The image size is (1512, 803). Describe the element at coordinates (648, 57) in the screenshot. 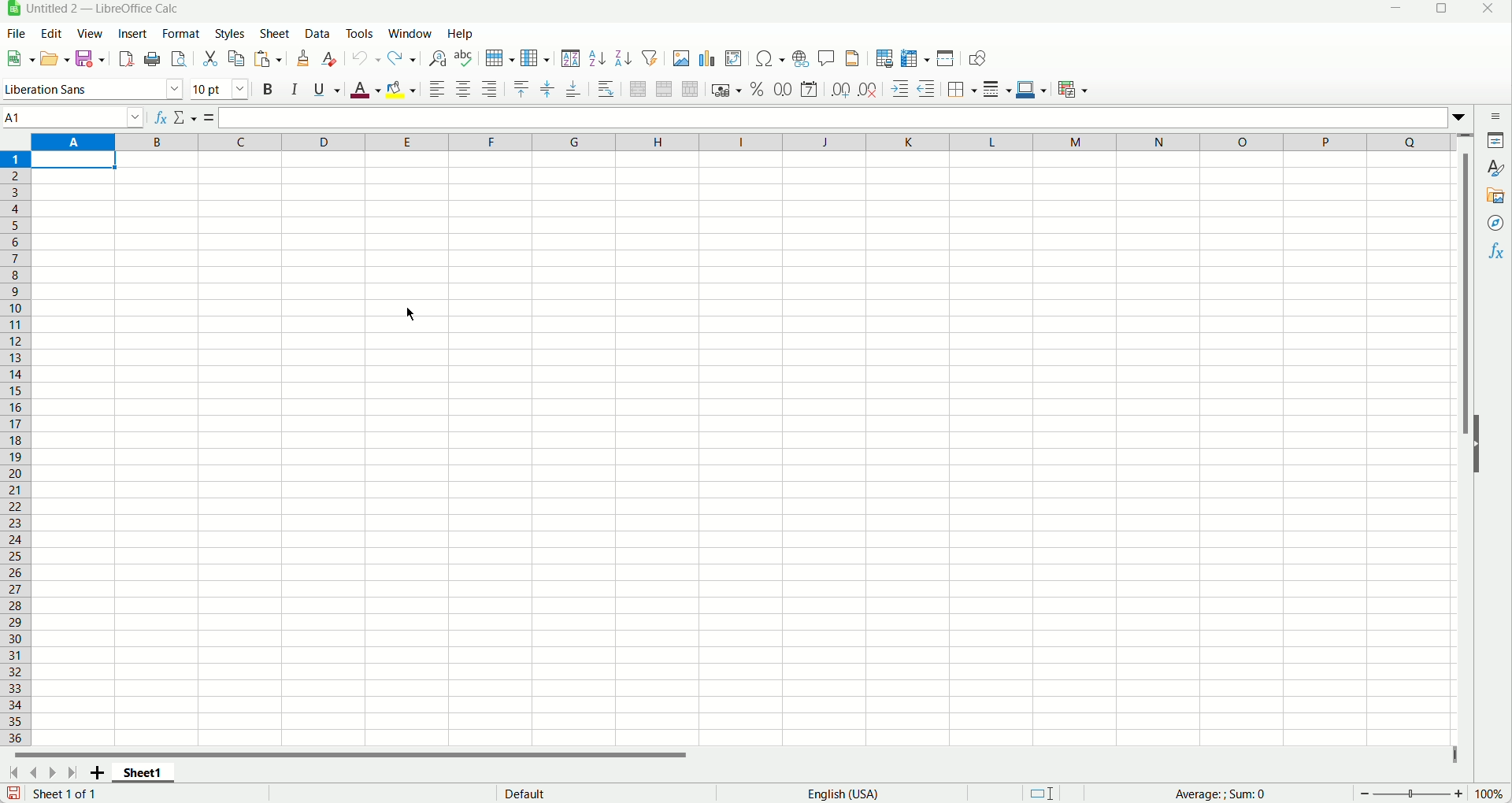

I see `Autofilter` at that location.